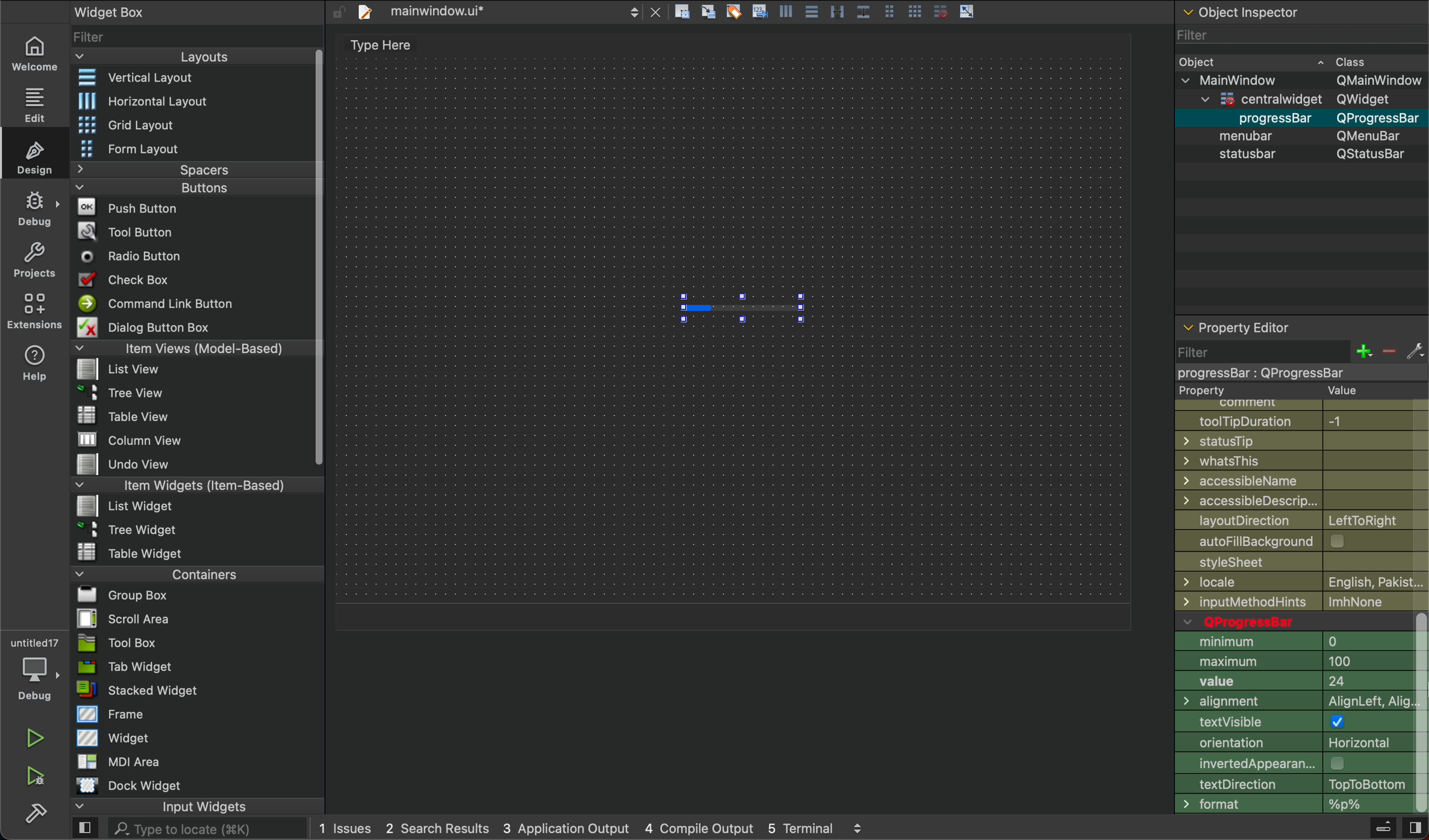 Image resolution: width=1429 pixels, height=840 pixels. Describe the element at coordinates (1294, 724) in the screenshot. I see `testVisible` at that location.